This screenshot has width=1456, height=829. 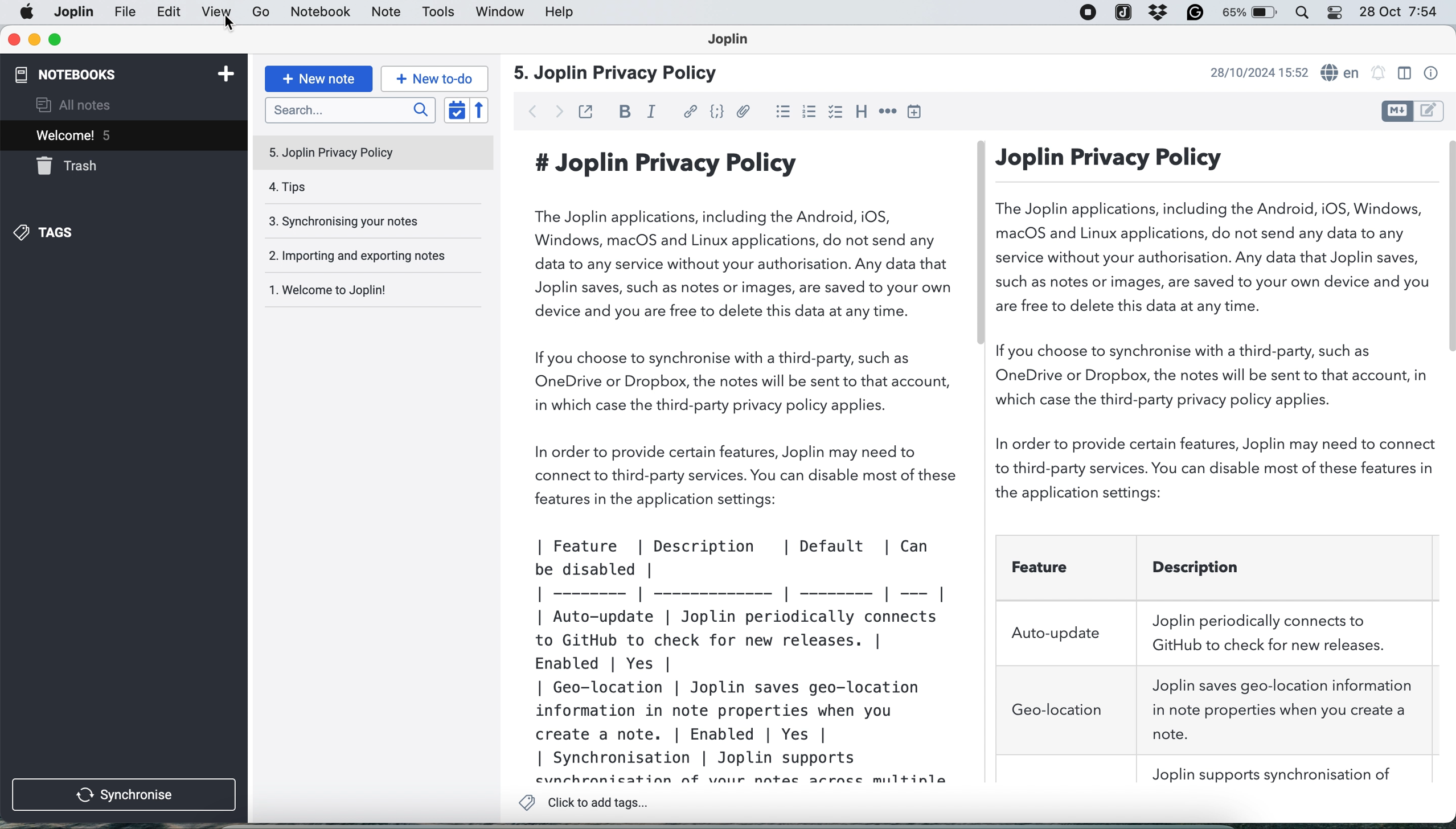 I want to click on maximise, so click(x=54, y=39).